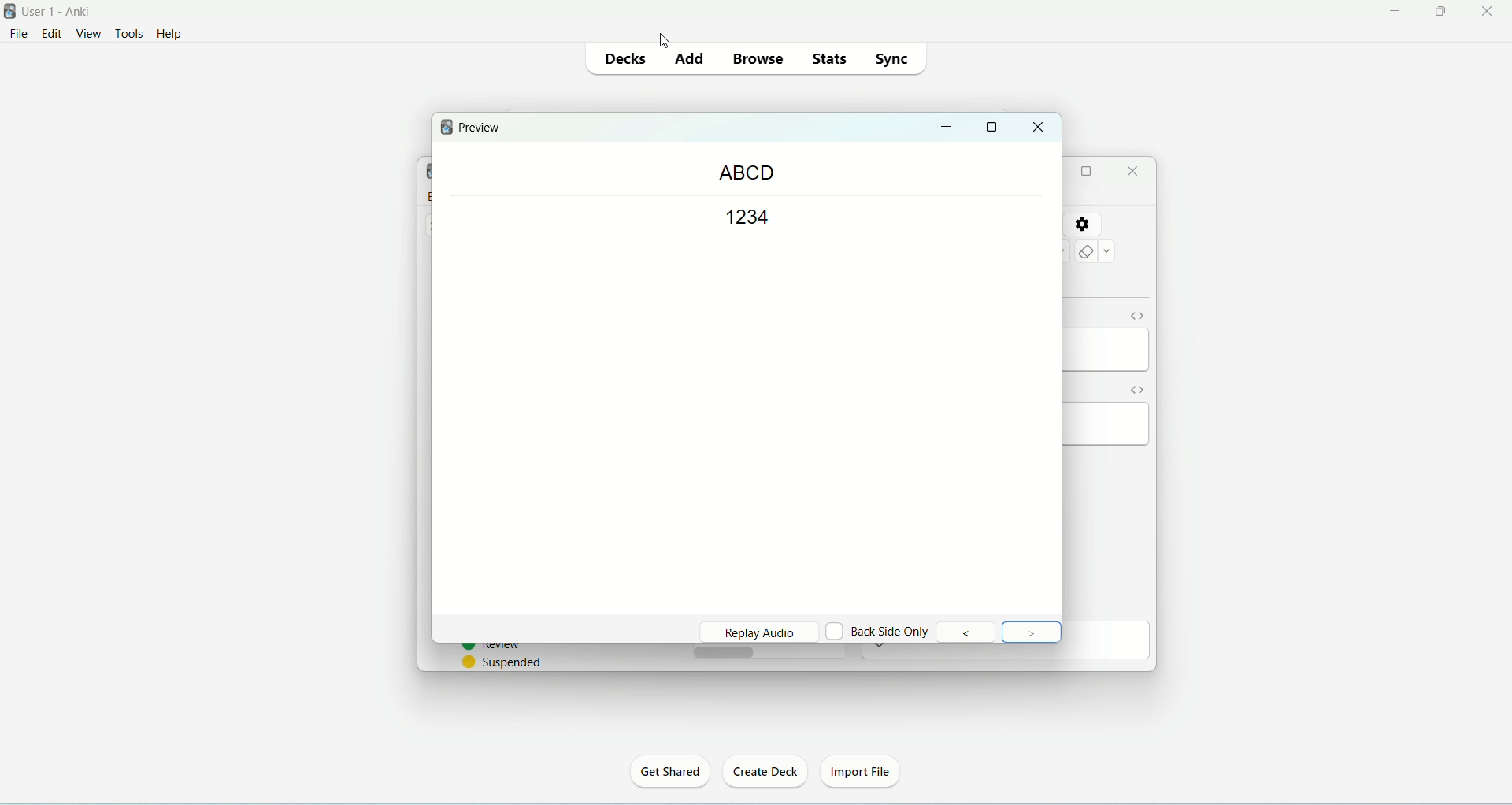 This screenshot has height=805, width=1512. I want to click on create deck, so click(765, 771).